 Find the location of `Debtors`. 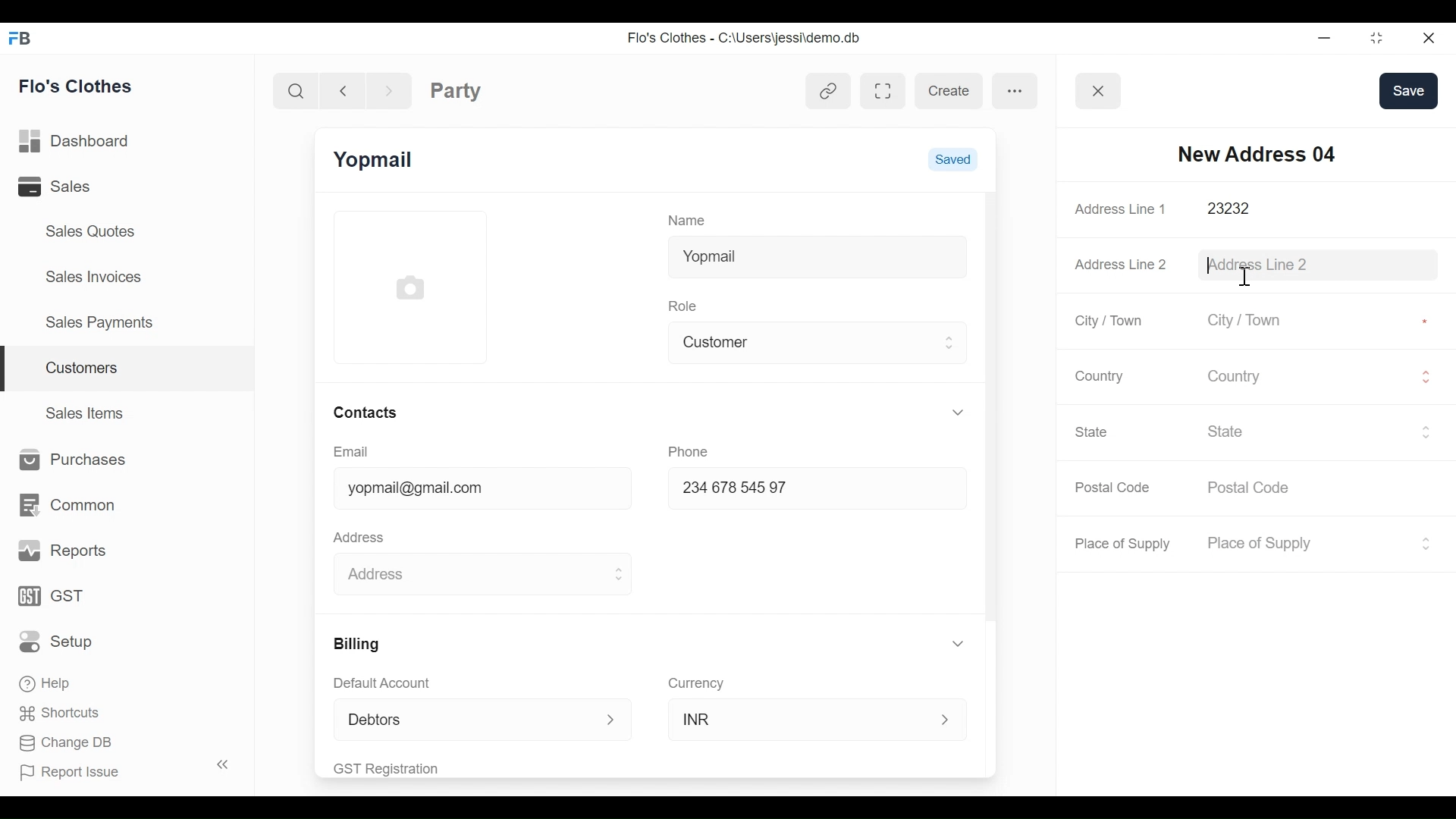

Debtors is located at coordinates (458, 719).